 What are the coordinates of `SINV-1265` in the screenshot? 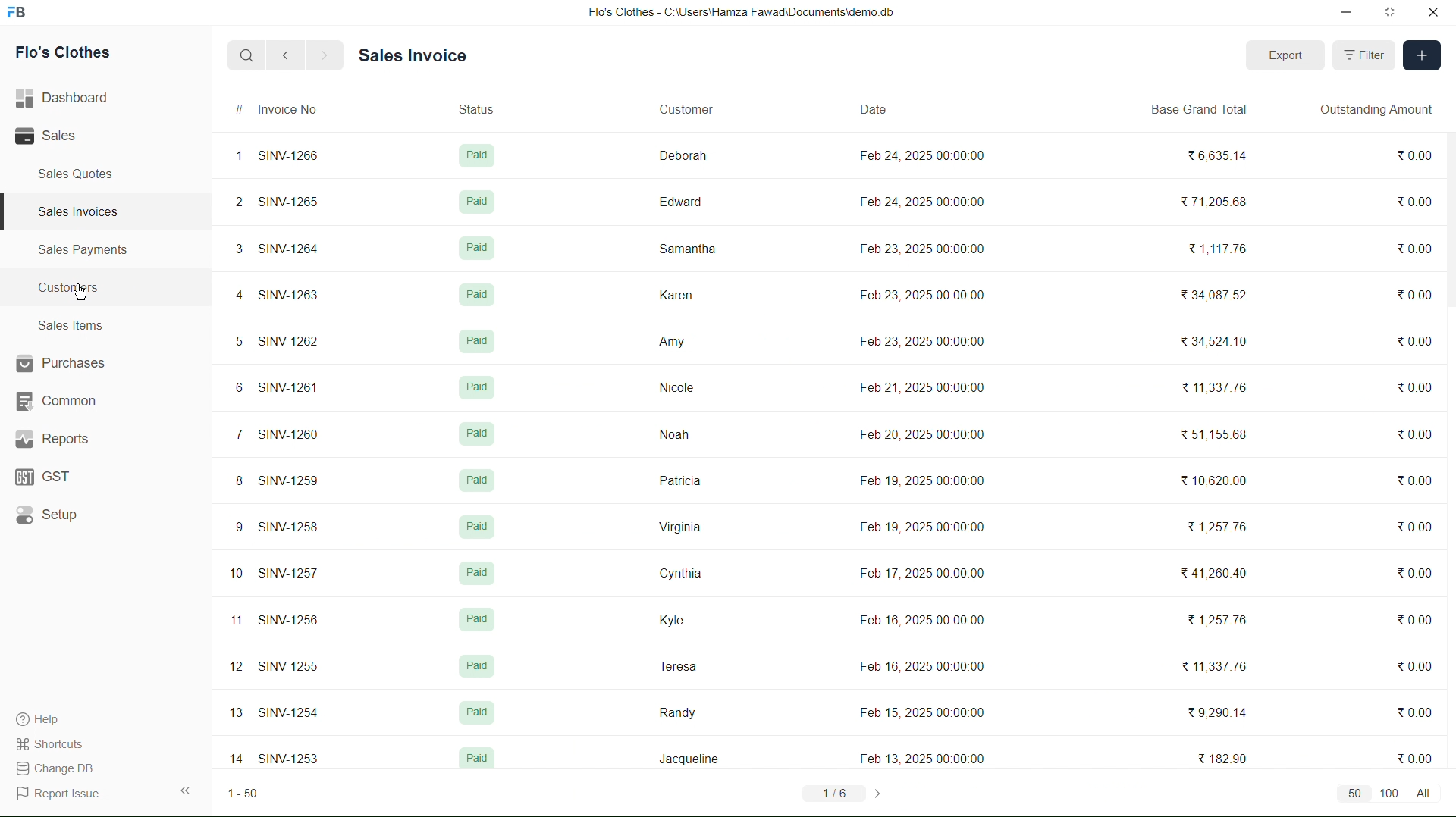 It's located at (285, 201).